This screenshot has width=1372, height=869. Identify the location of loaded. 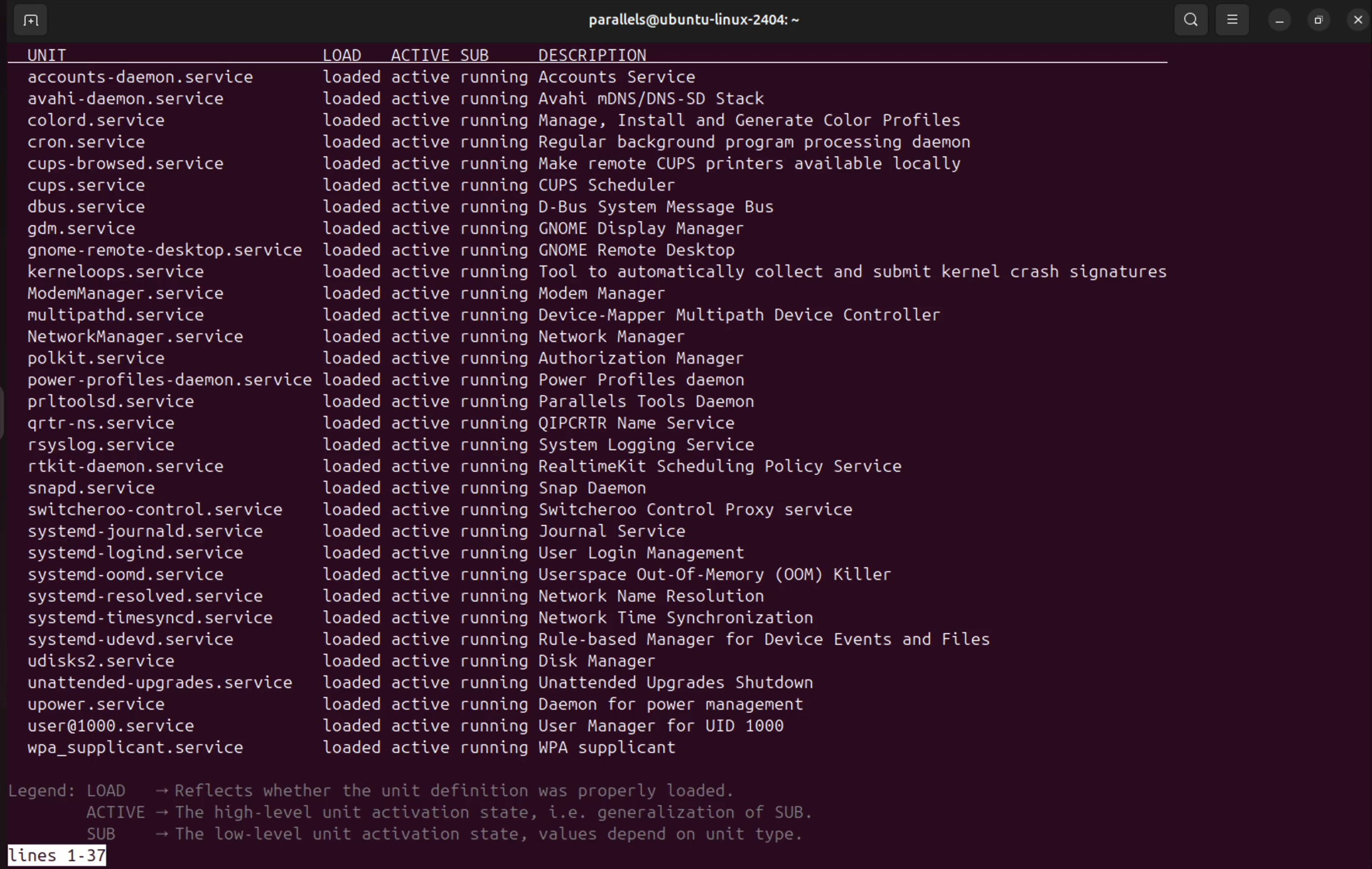
(349, 444).